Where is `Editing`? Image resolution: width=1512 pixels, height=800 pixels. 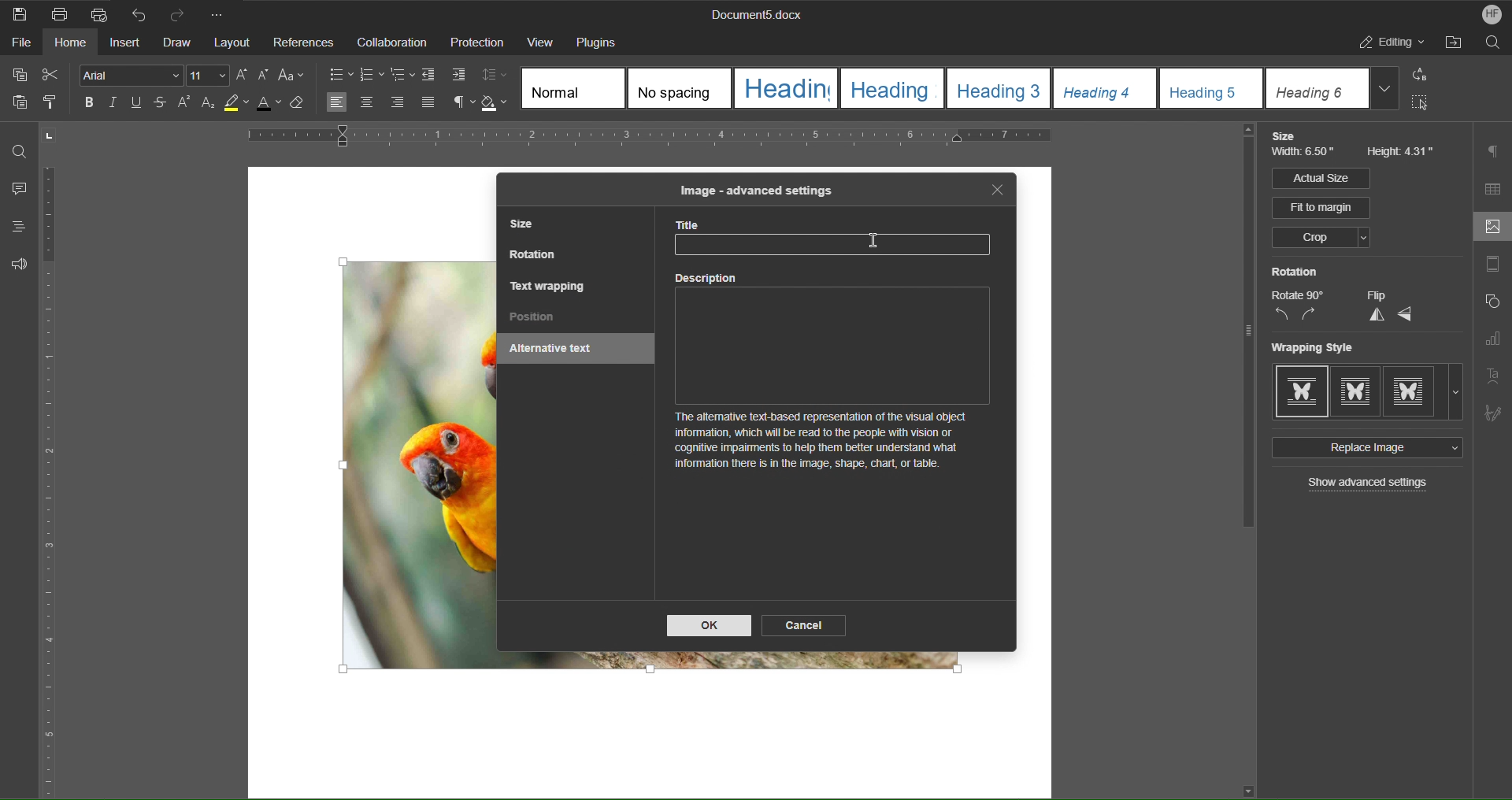 Editing is located at coordinates (1393, 45).